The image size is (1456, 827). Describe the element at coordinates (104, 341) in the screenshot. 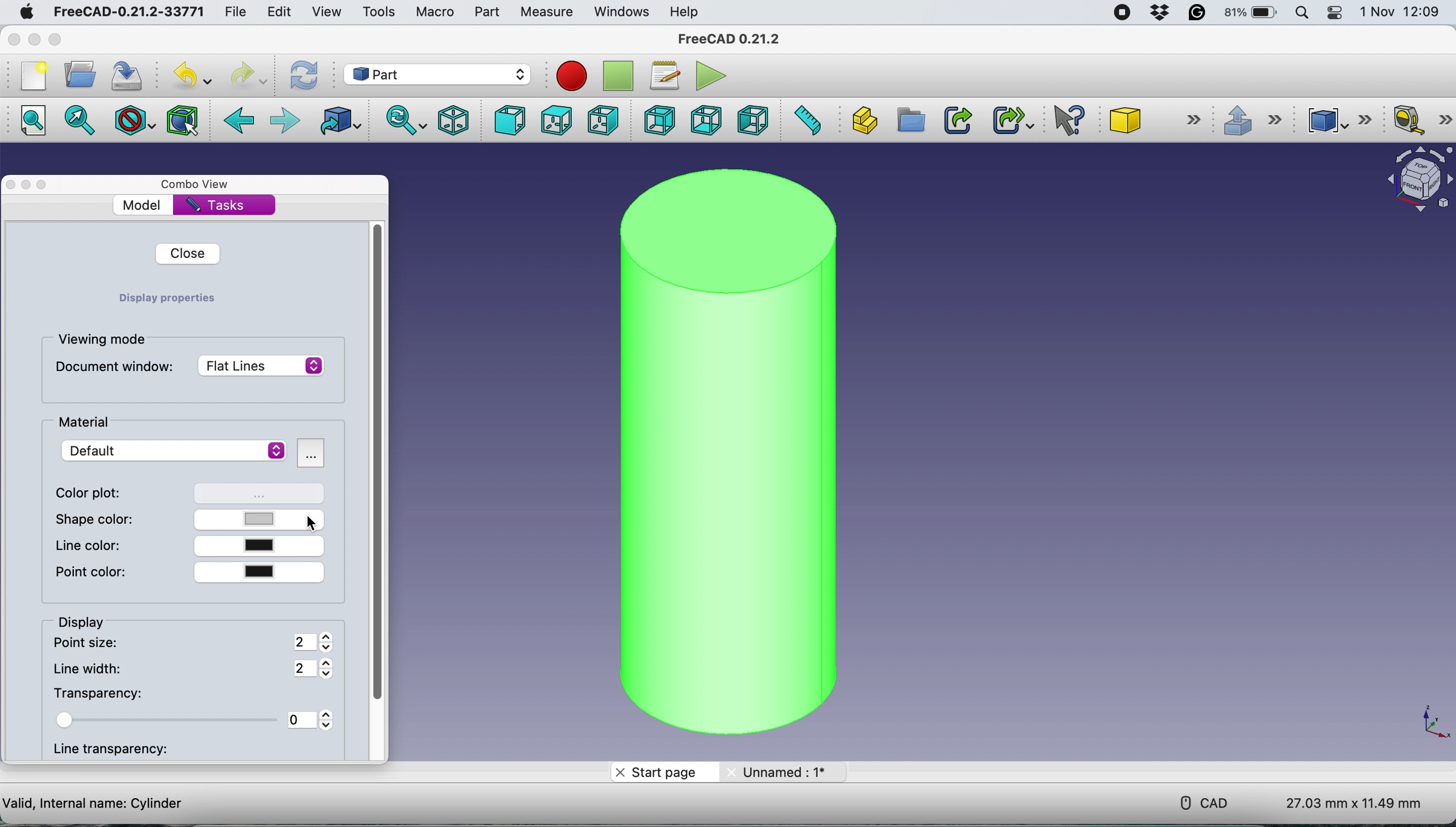

I see `viewing mode` at that location.